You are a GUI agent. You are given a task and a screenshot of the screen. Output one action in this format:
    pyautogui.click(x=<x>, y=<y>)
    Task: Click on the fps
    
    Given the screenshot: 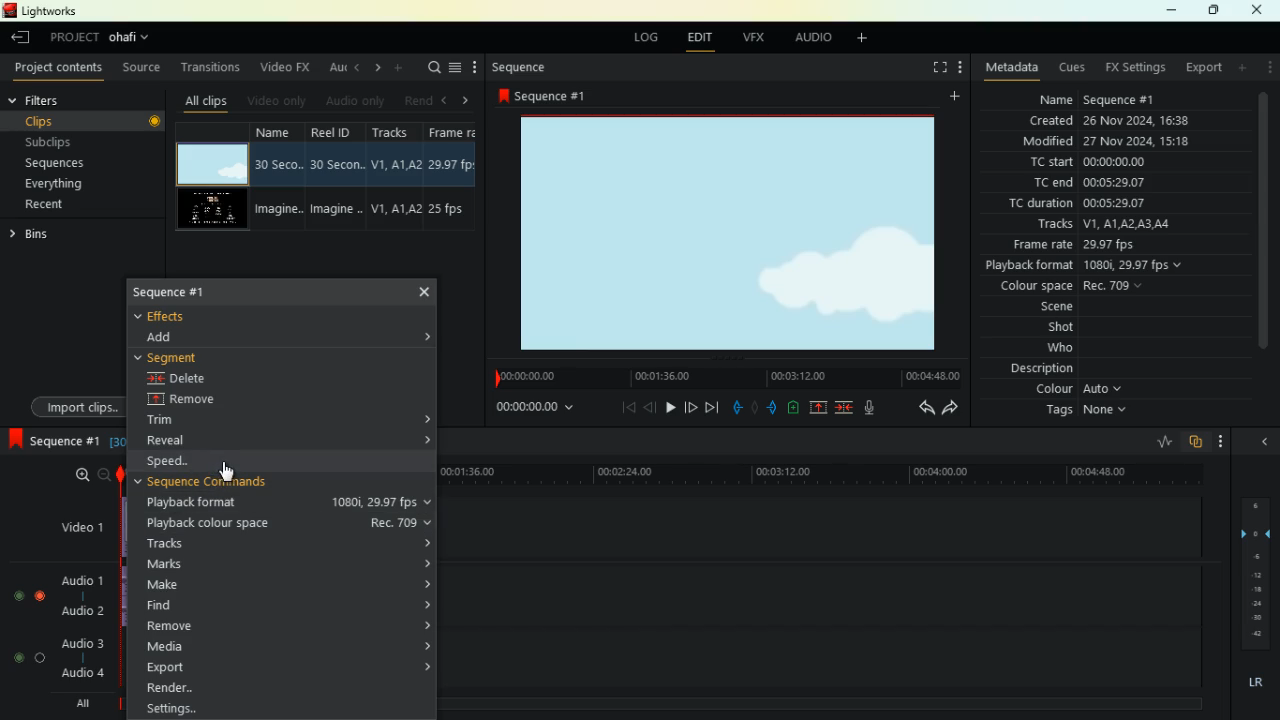 What is the action you would take?
    pyautogui.click(x=455, y=179)
    